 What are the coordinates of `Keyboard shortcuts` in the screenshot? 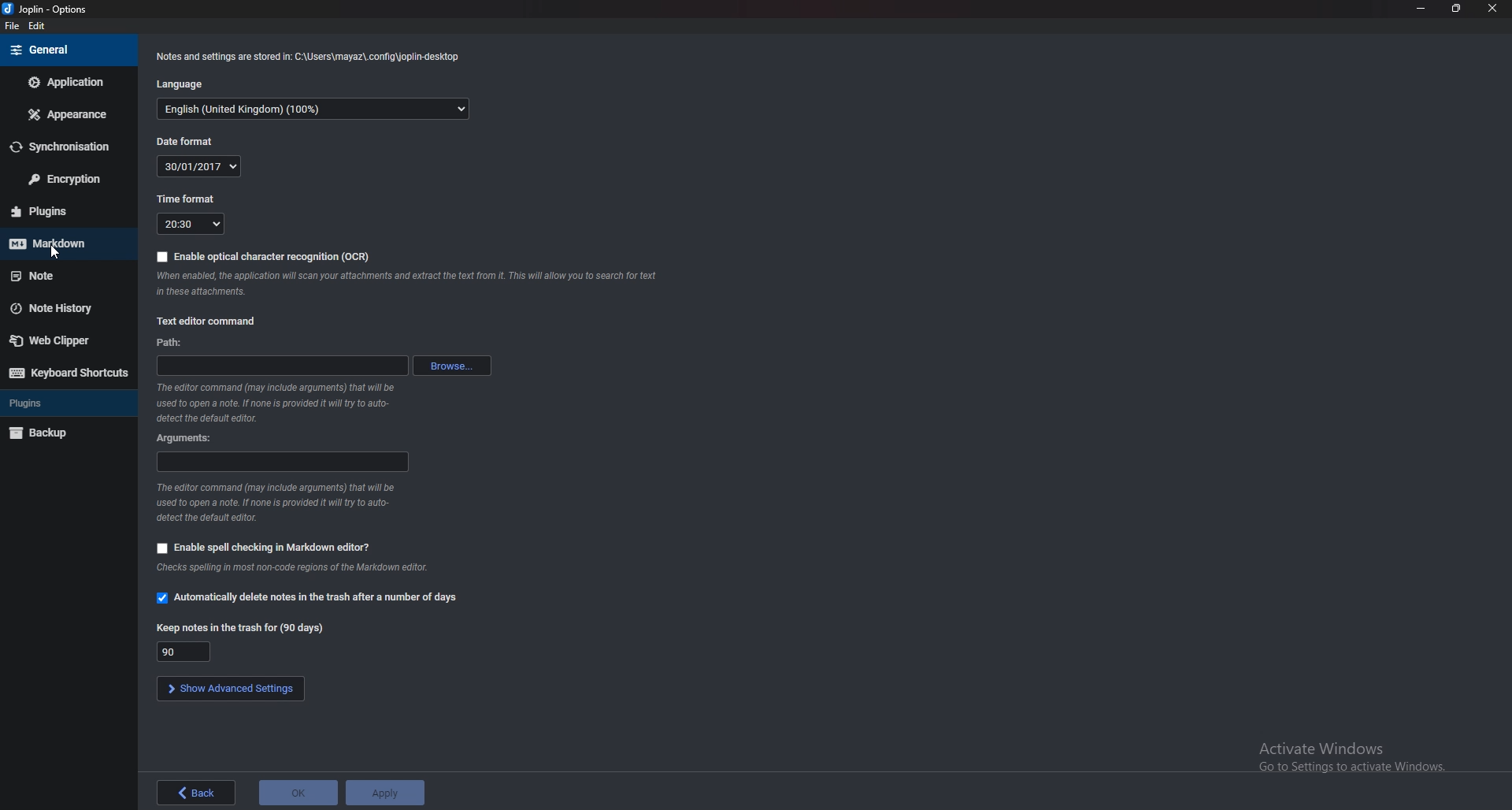 It's located at (69, 373).